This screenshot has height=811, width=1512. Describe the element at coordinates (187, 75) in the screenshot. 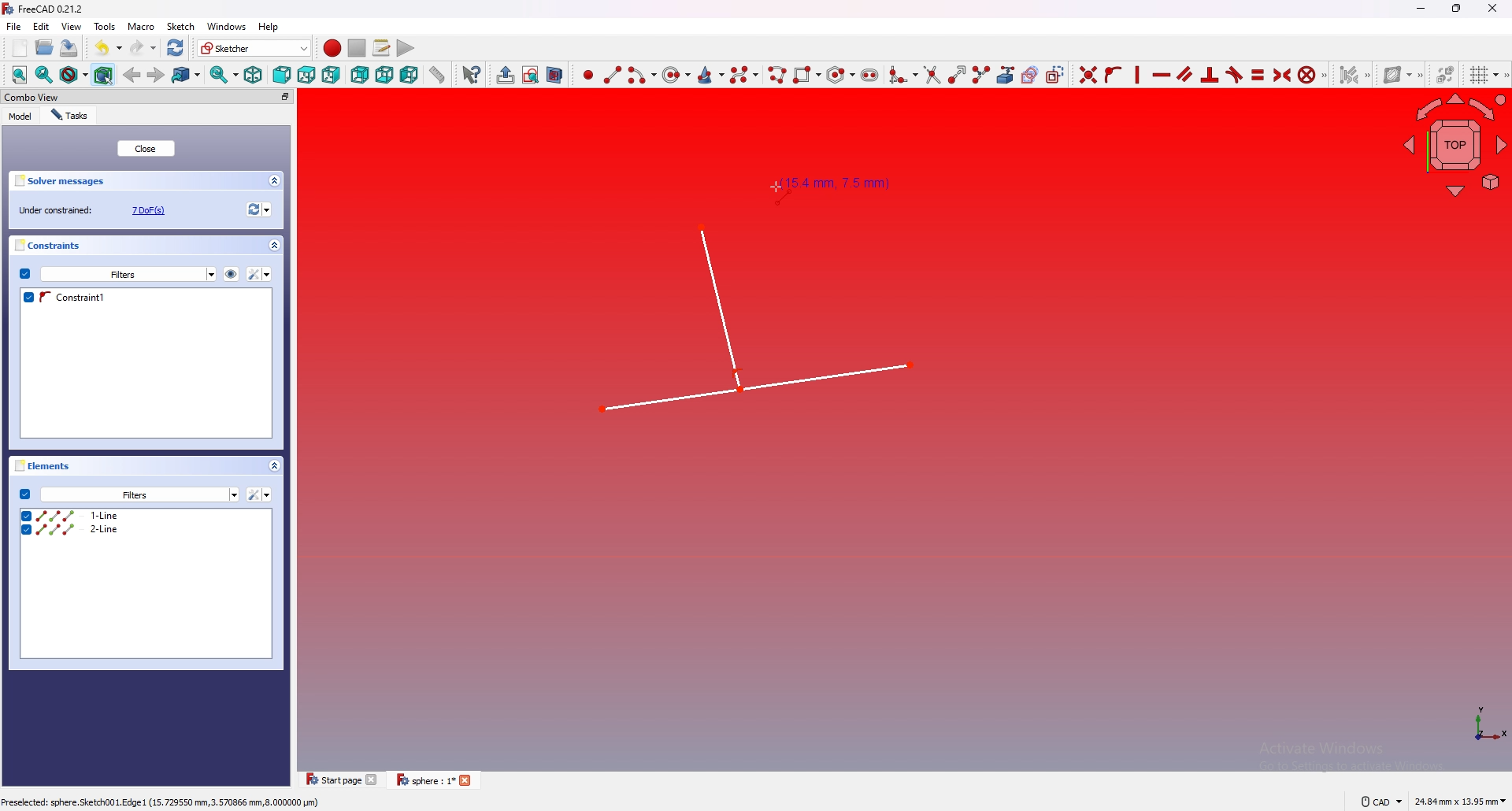

I see `Go to linked object` at that location.